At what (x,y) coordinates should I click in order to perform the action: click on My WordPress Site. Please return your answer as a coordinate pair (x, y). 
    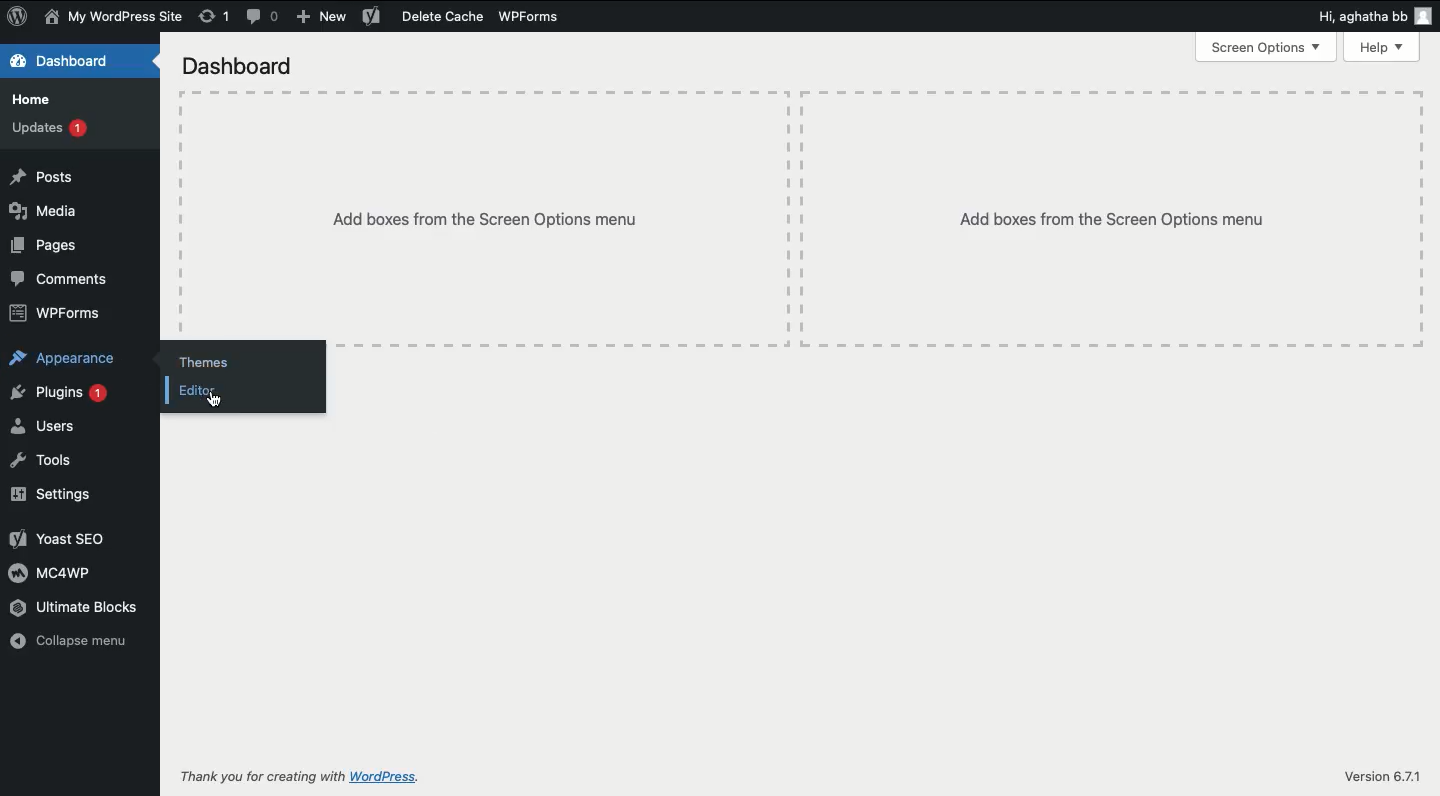
    Looking at the image, I should click on (114, 18).